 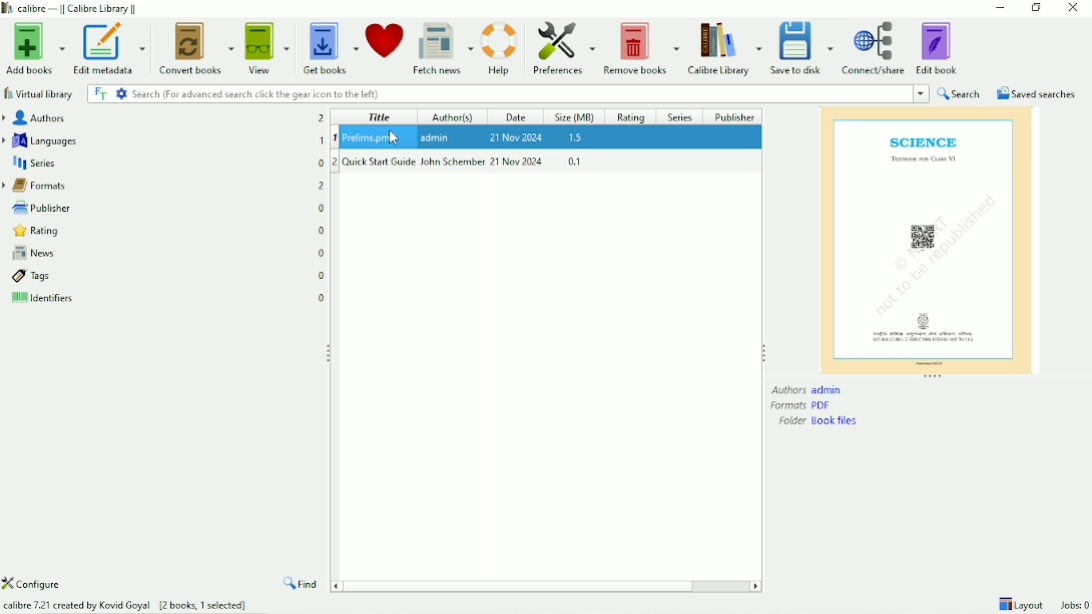 I want to click on admin, so click(x=438, y=137).